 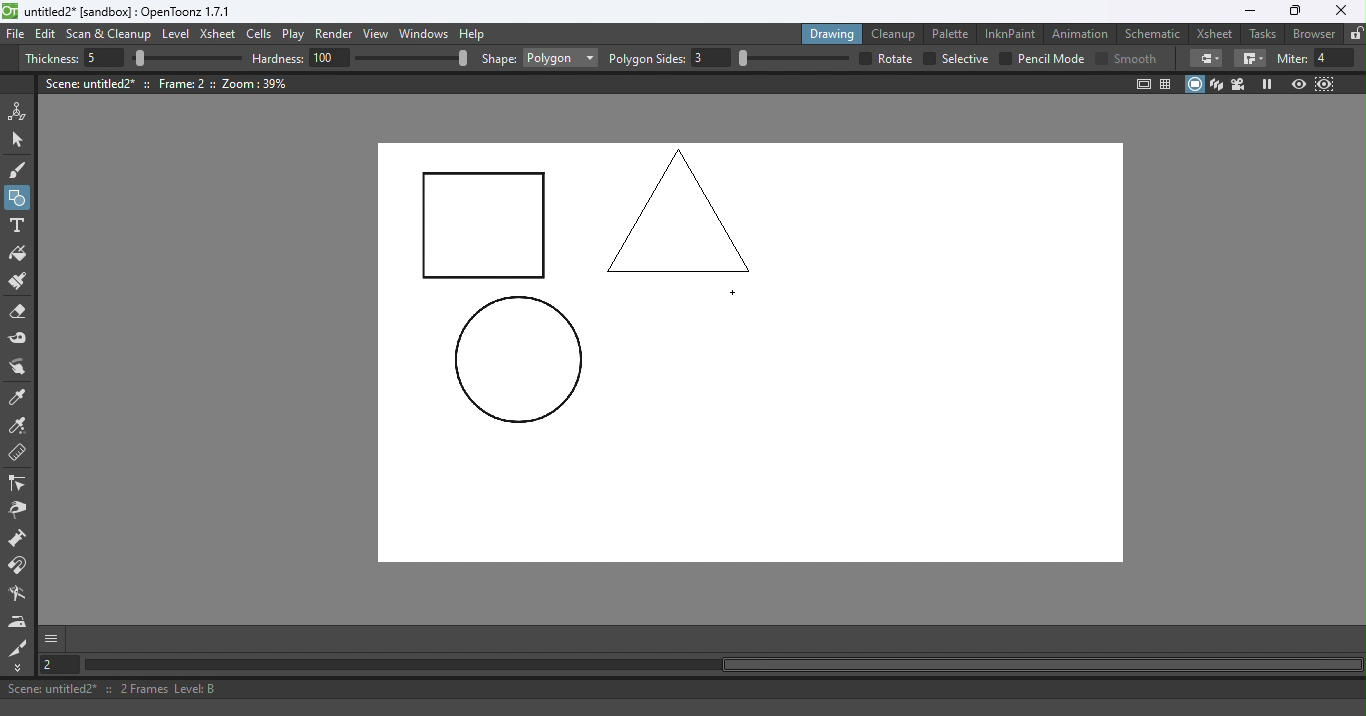 What do you see at coordinates (793, 58) in the screenshot?
I see `slider` at bounding box center [793, 58].